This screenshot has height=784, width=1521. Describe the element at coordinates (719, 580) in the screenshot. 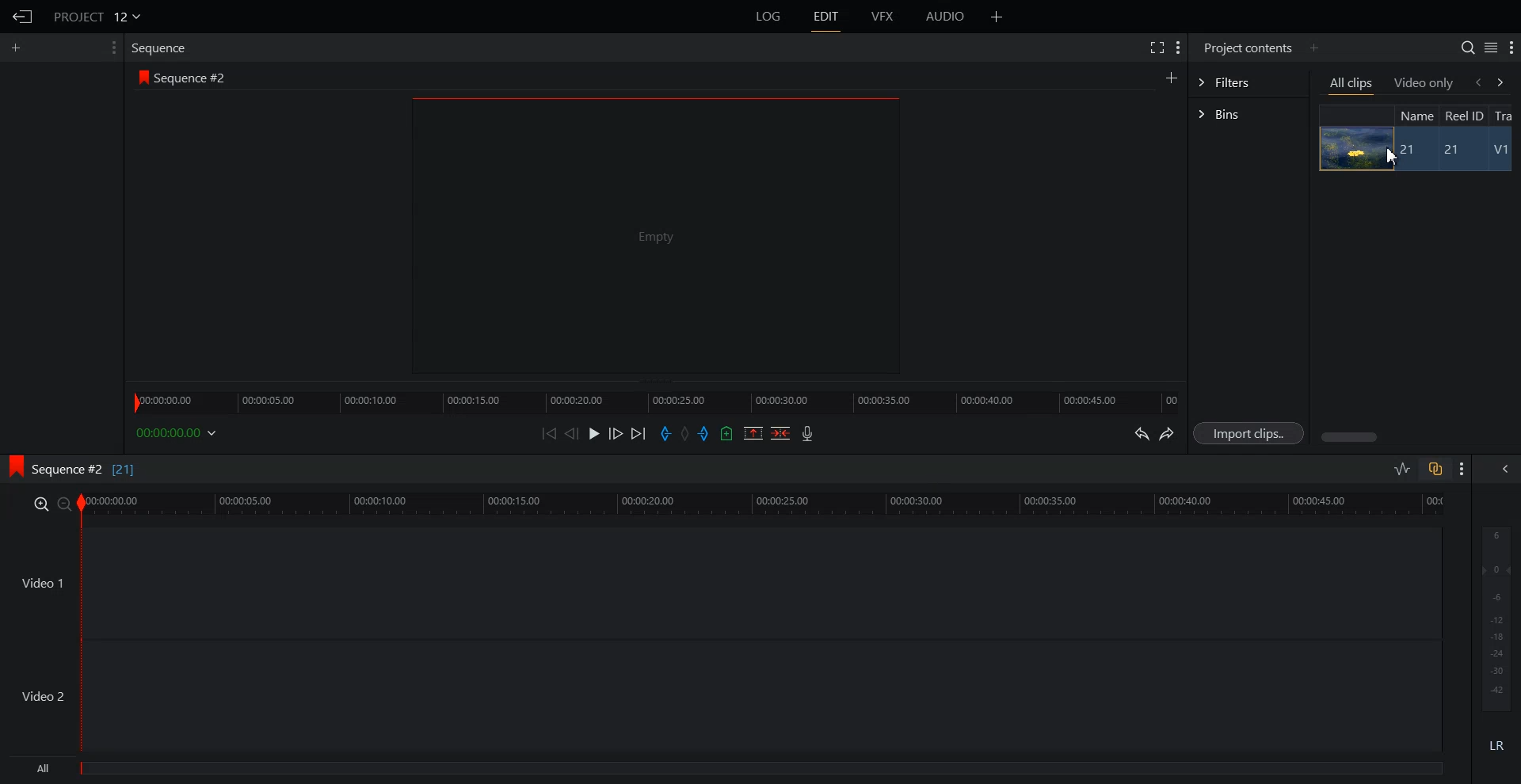

I see `video 1` at that location.